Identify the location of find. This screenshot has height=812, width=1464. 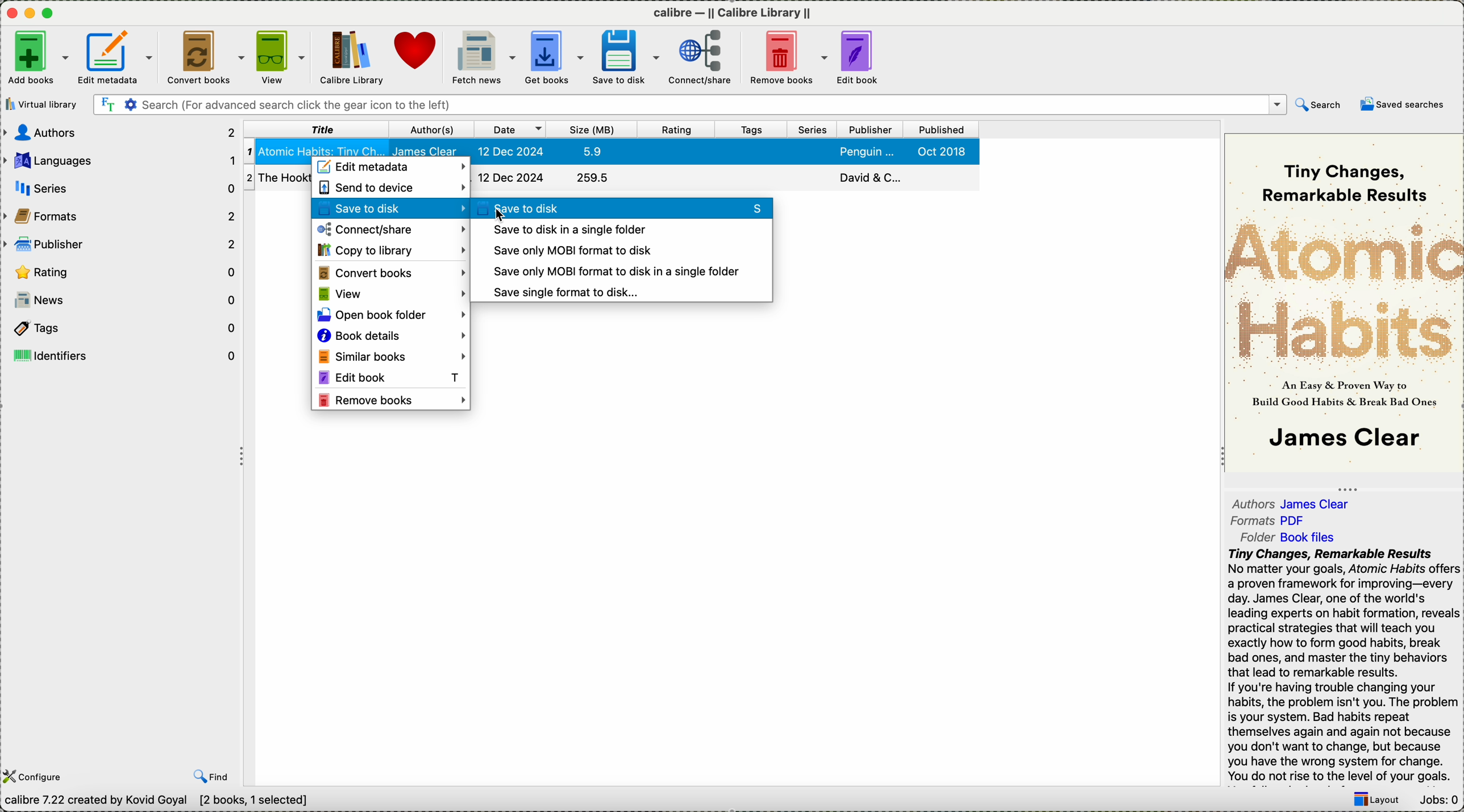
(210, 777).